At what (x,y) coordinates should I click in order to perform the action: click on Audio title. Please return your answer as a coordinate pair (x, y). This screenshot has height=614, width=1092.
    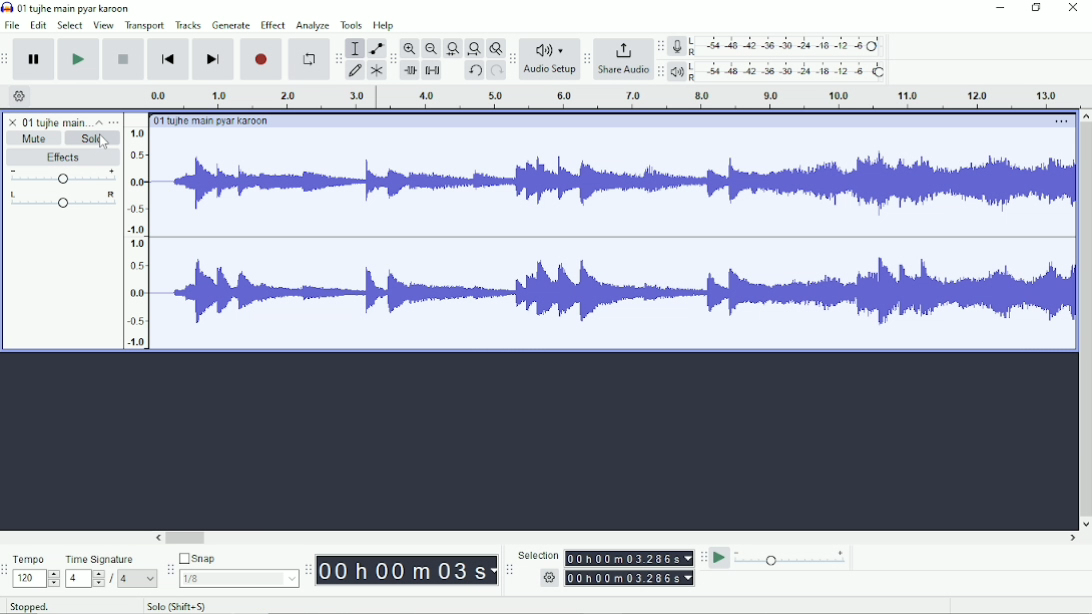
    Looking at the image, I should click on (46, 119).